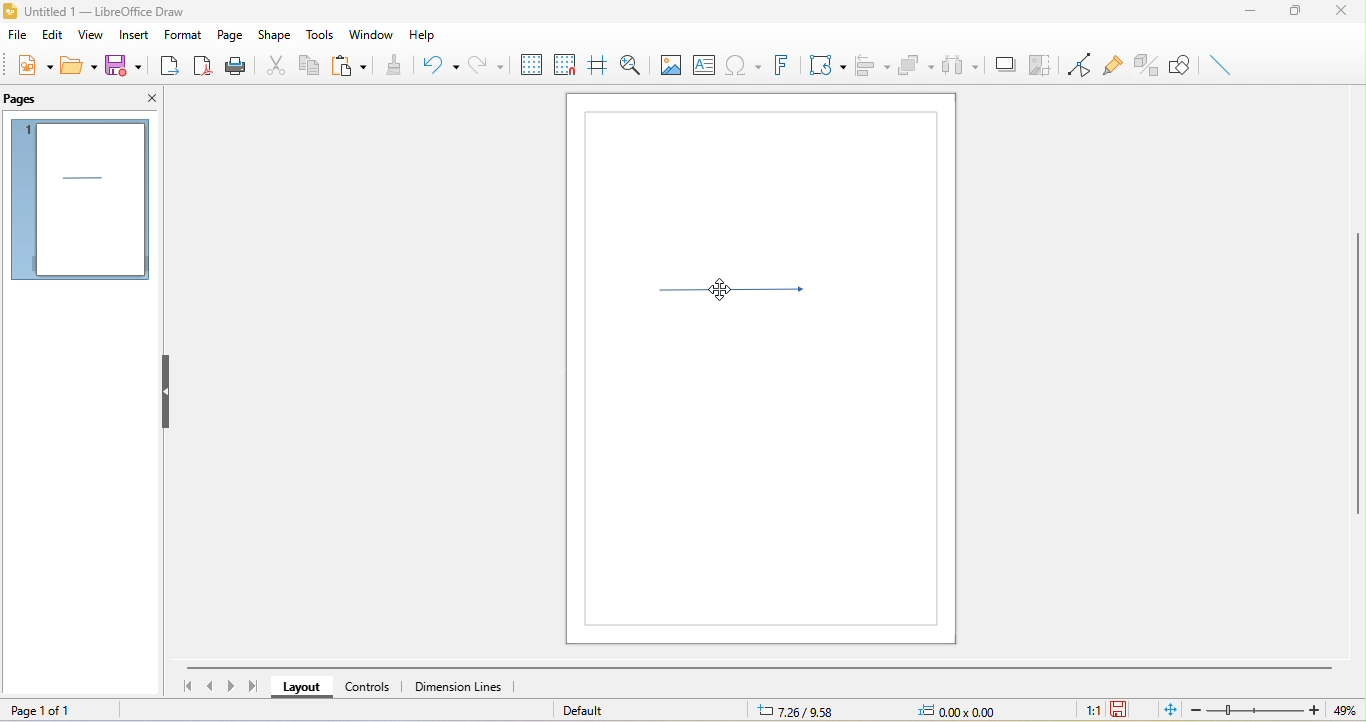 Image resolution: width=1366 pixels, height=722 pixels. I want to click on gluepoint function, so click(1111, 62).